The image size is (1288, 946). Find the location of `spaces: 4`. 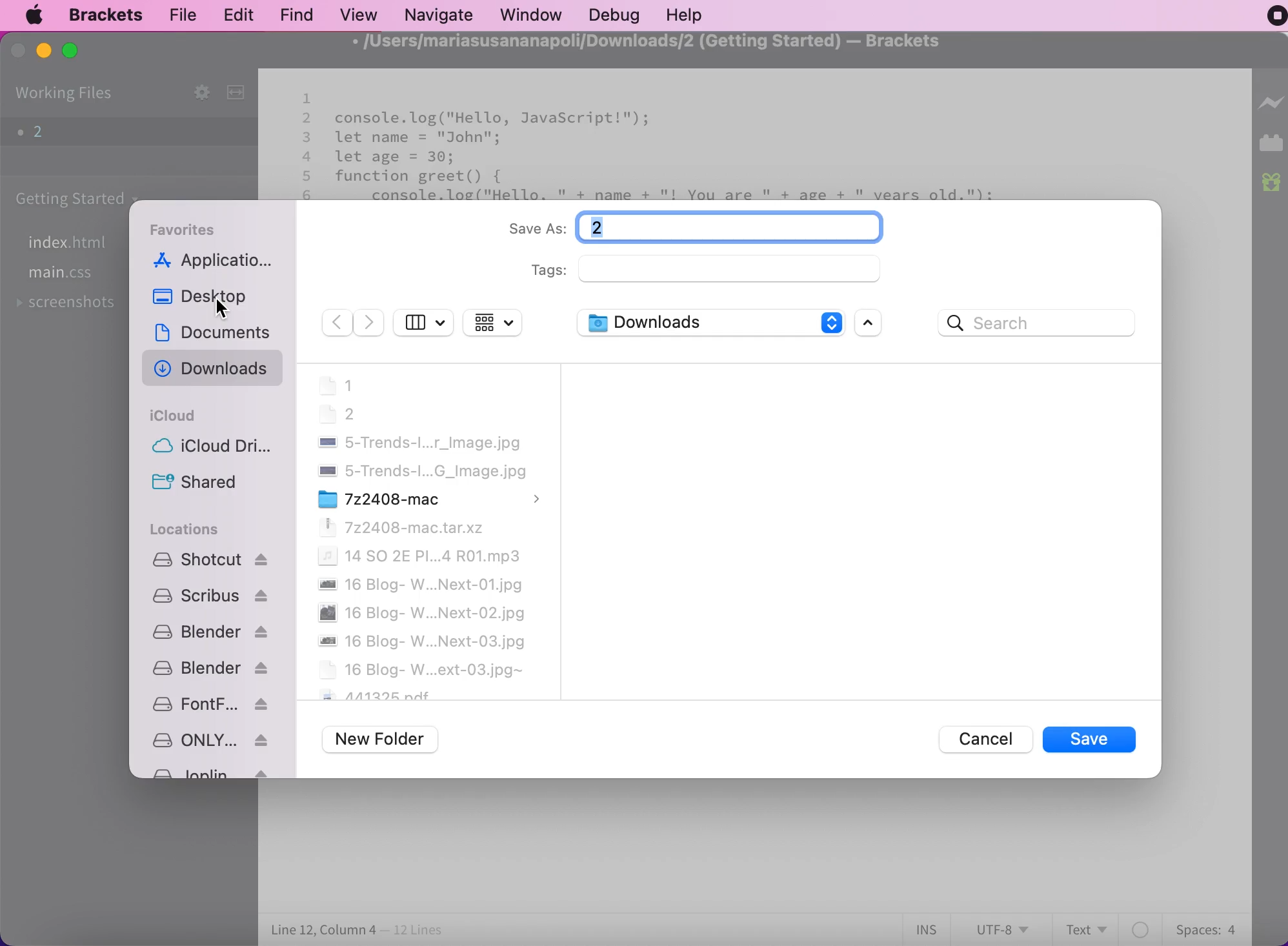

spaces: 4 is located at coordinates (1203, 927).